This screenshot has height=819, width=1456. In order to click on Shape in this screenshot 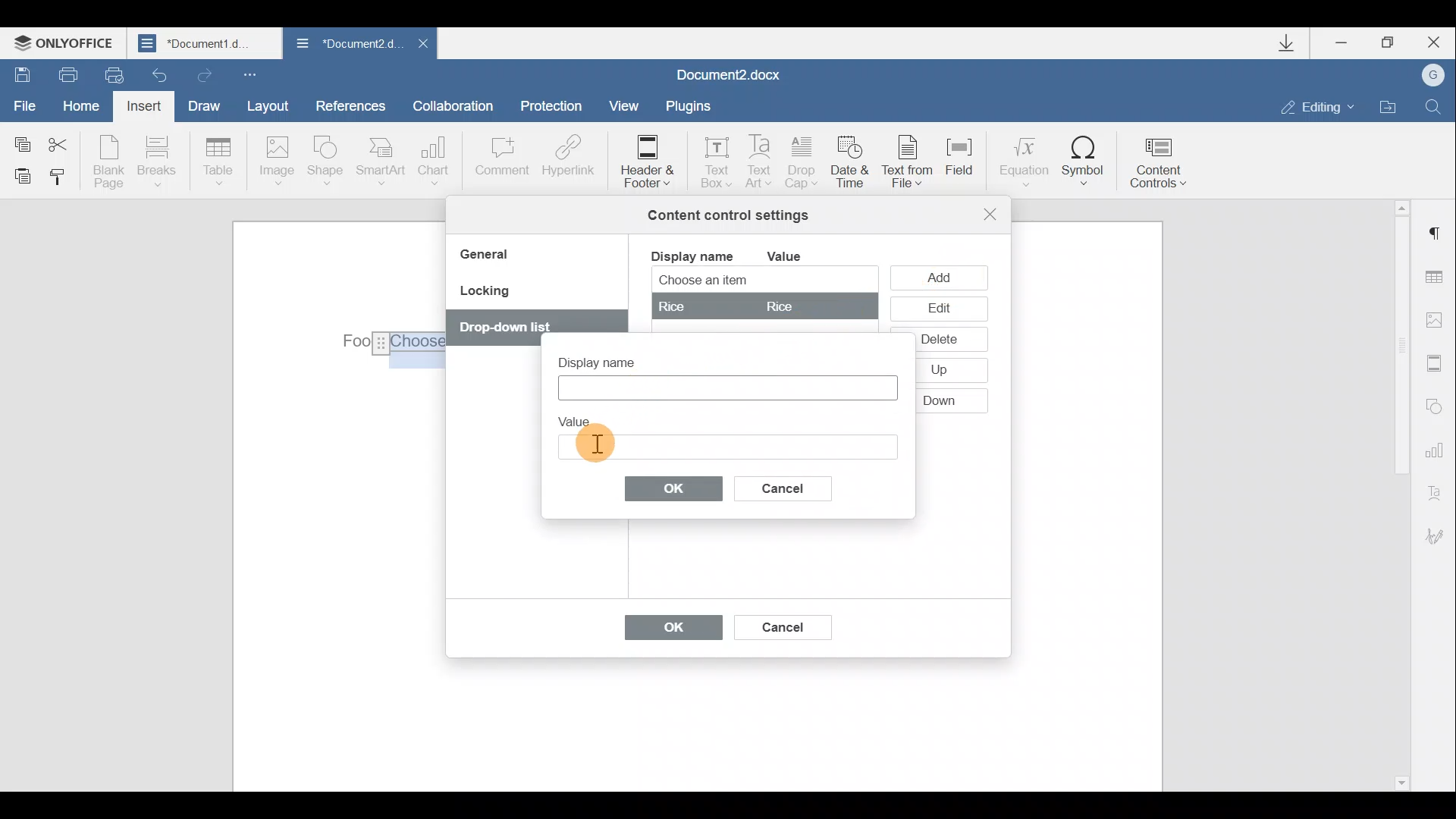, I will do `click(328, 163)`.